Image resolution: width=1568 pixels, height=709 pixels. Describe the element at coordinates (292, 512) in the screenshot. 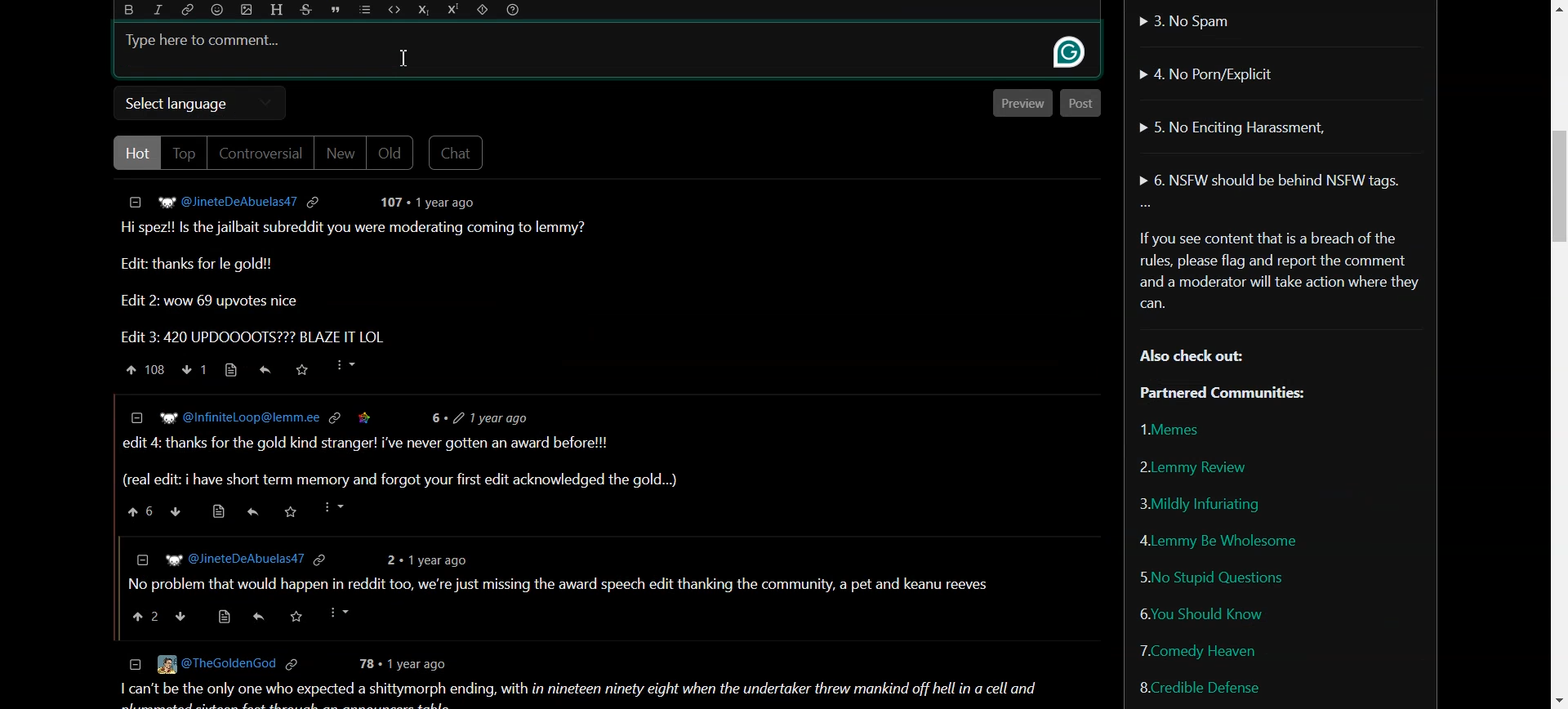

I see `save` at that location.